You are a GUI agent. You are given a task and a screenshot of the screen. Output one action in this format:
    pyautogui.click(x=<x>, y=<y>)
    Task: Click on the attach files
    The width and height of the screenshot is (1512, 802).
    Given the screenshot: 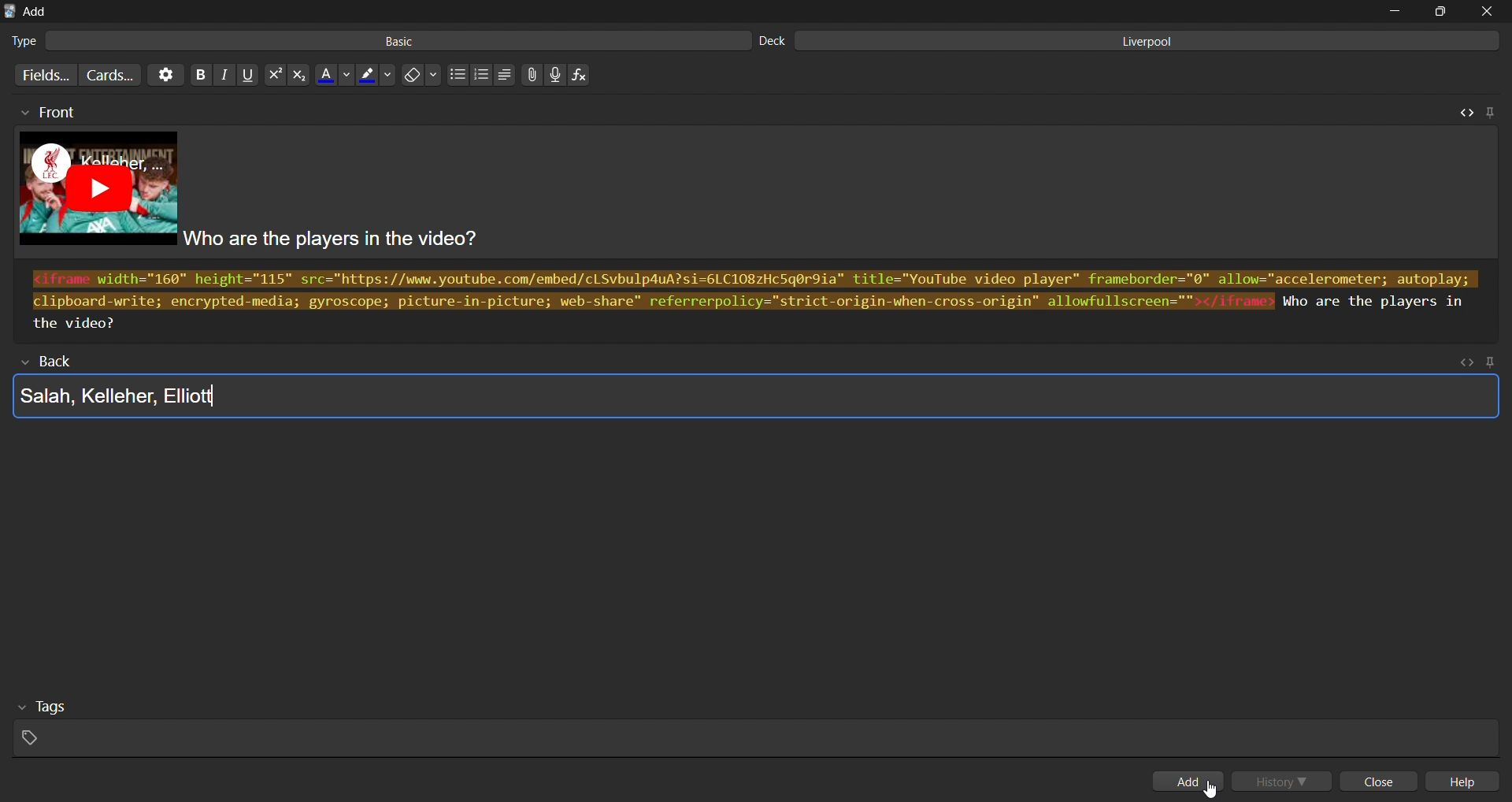 What is the action you would take?
    pyautogui.click(x=531, y=75)
    